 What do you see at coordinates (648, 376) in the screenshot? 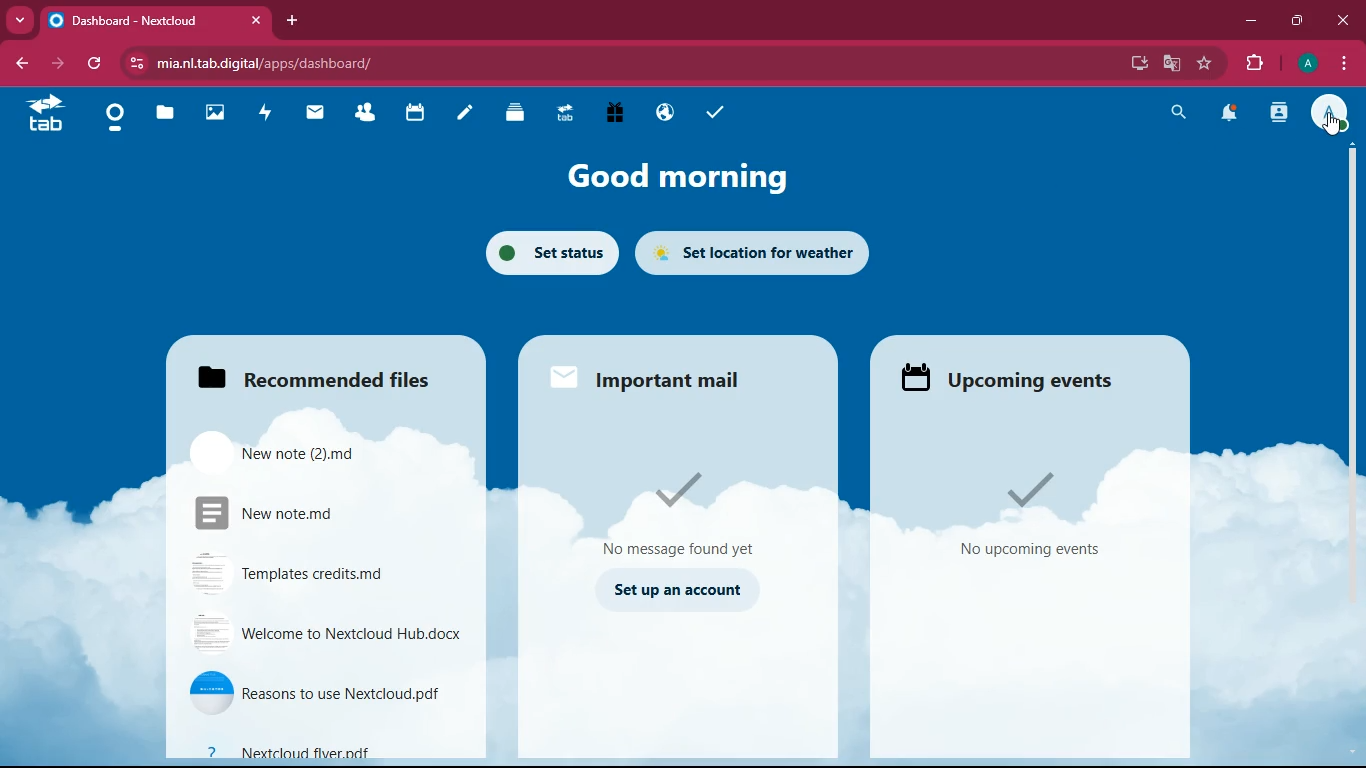
I see `important mail` at bounding box center [648, 376].